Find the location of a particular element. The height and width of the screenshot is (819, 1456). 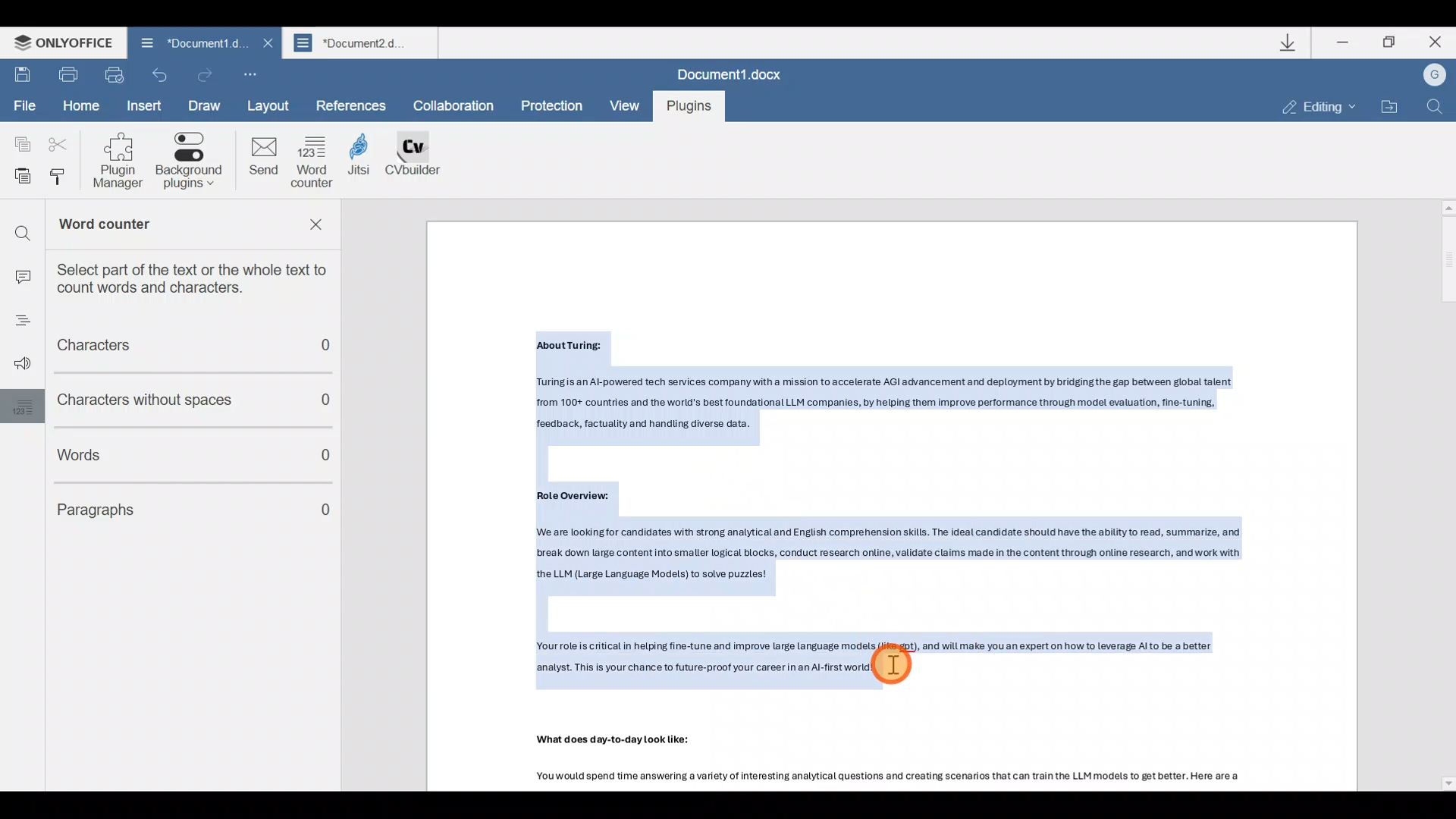

input is located at coordinates (21, 272).